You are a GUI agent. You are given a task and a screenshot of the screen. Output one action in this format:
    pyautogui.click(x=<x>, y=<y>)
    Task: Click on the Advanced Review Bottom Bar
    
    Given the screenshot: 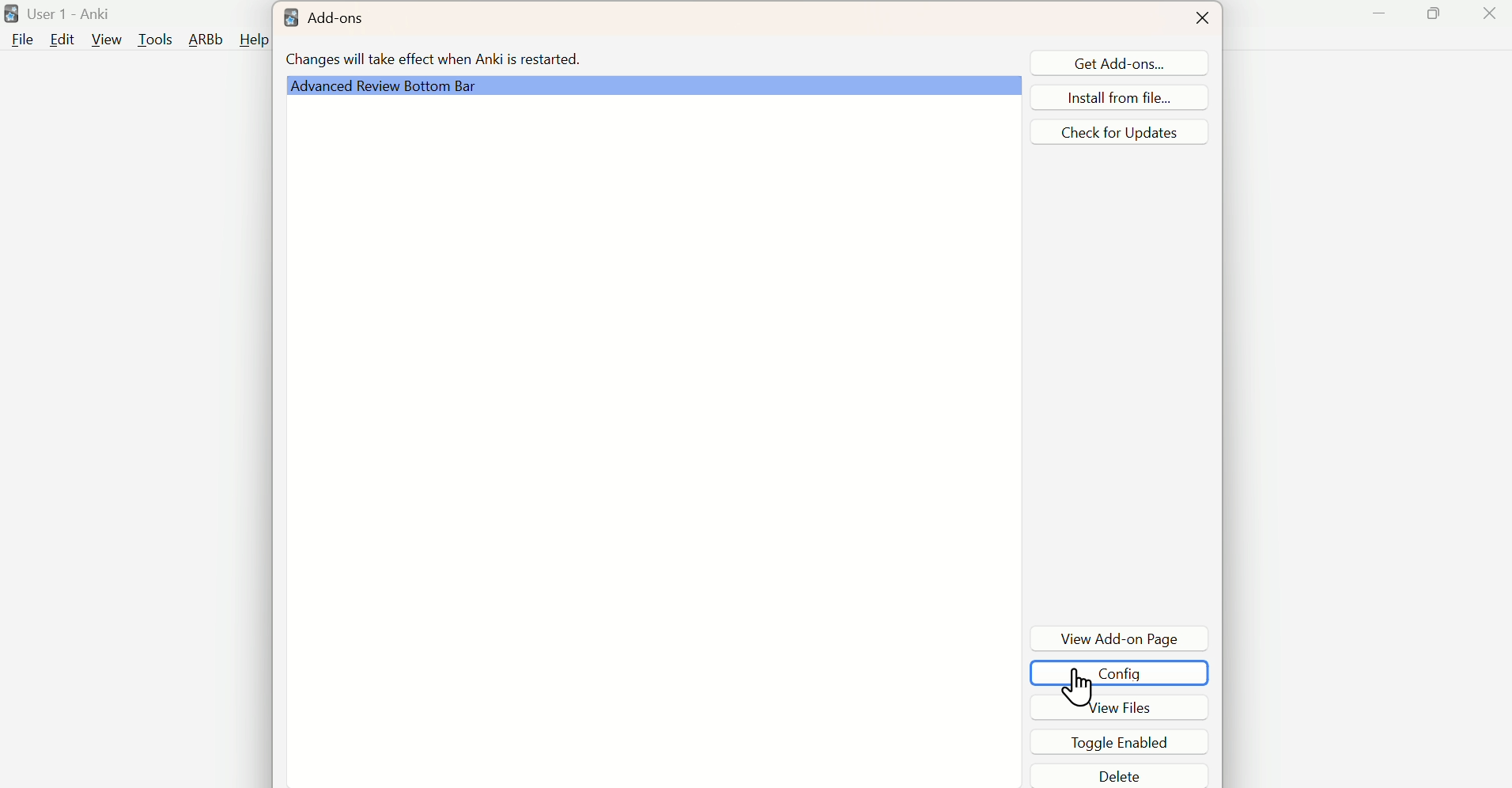 What is the action you would take?
    pyautogui.click(x=652, y=89)
    